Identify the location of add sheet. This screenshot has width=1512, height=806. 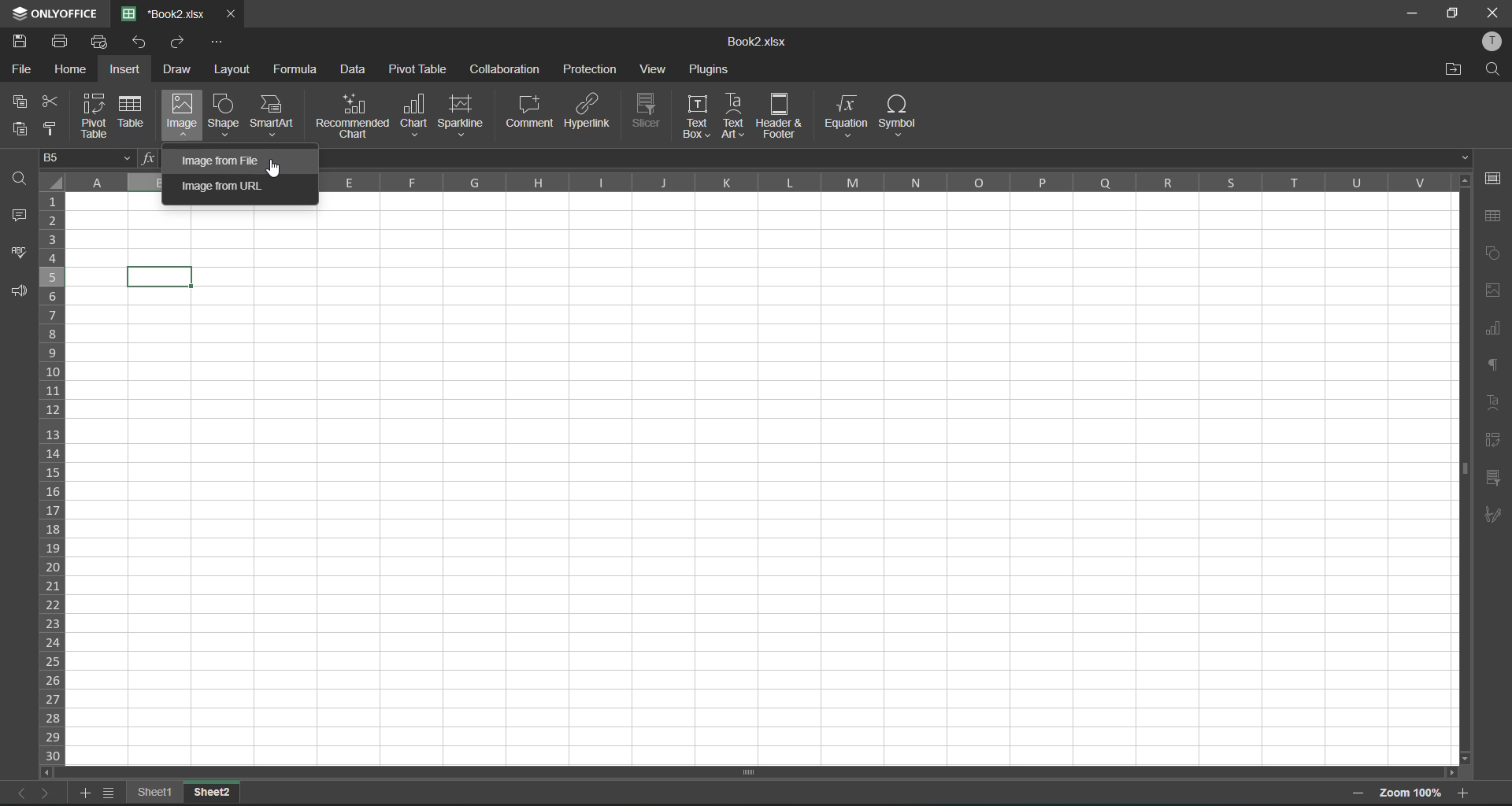
(85, 794).